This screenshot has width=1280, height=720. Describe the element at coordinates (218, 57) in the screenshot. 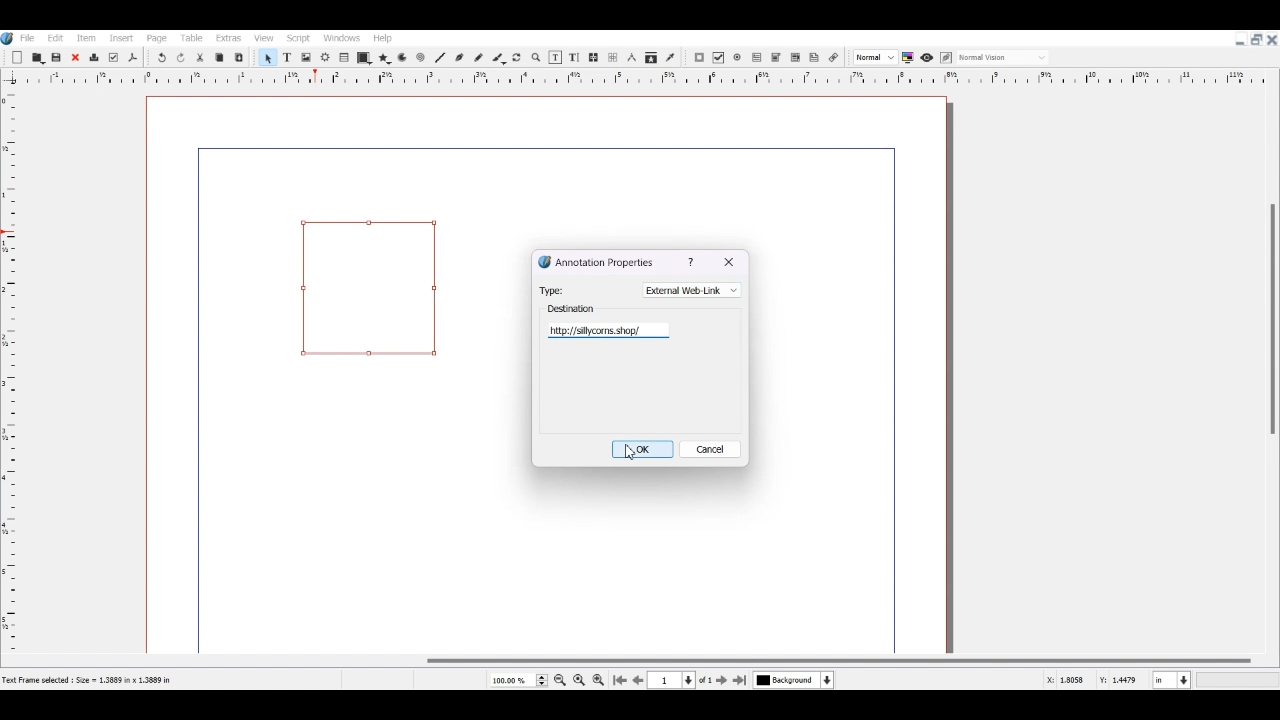

I see `Copy` at that location.